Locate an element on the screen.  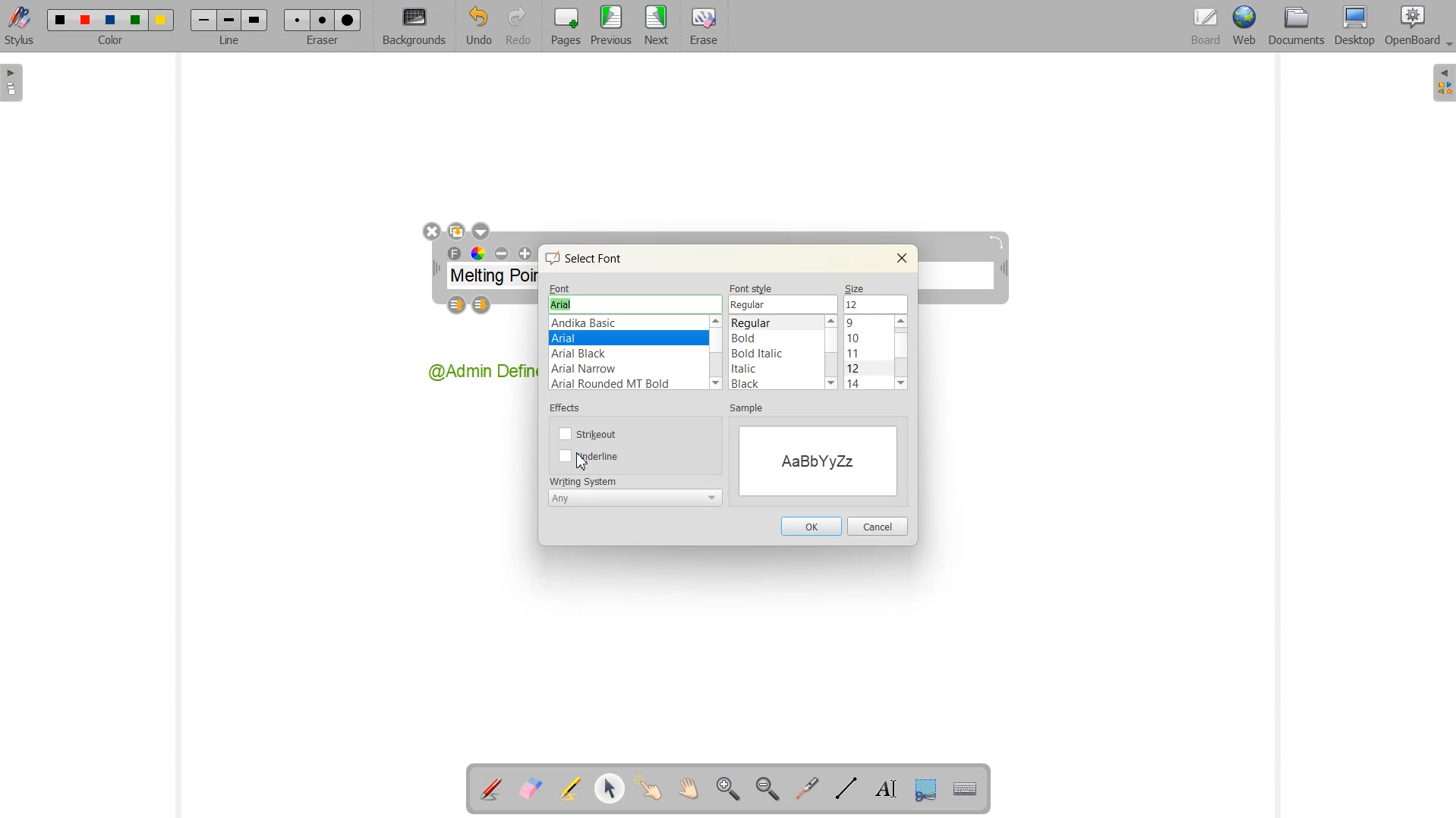
Text box width adjuster is located at coordinates (436, 269).